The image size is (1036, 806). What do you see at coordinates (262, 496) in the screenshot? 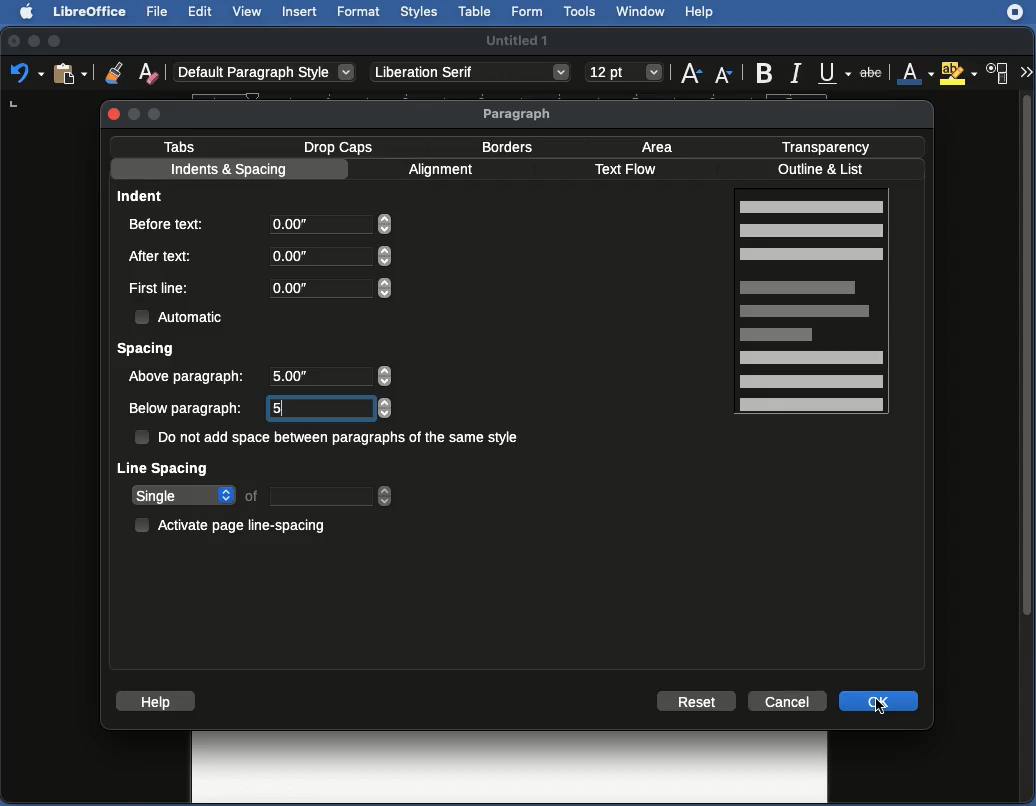
I see `Single` at bounding box center [262, 496].